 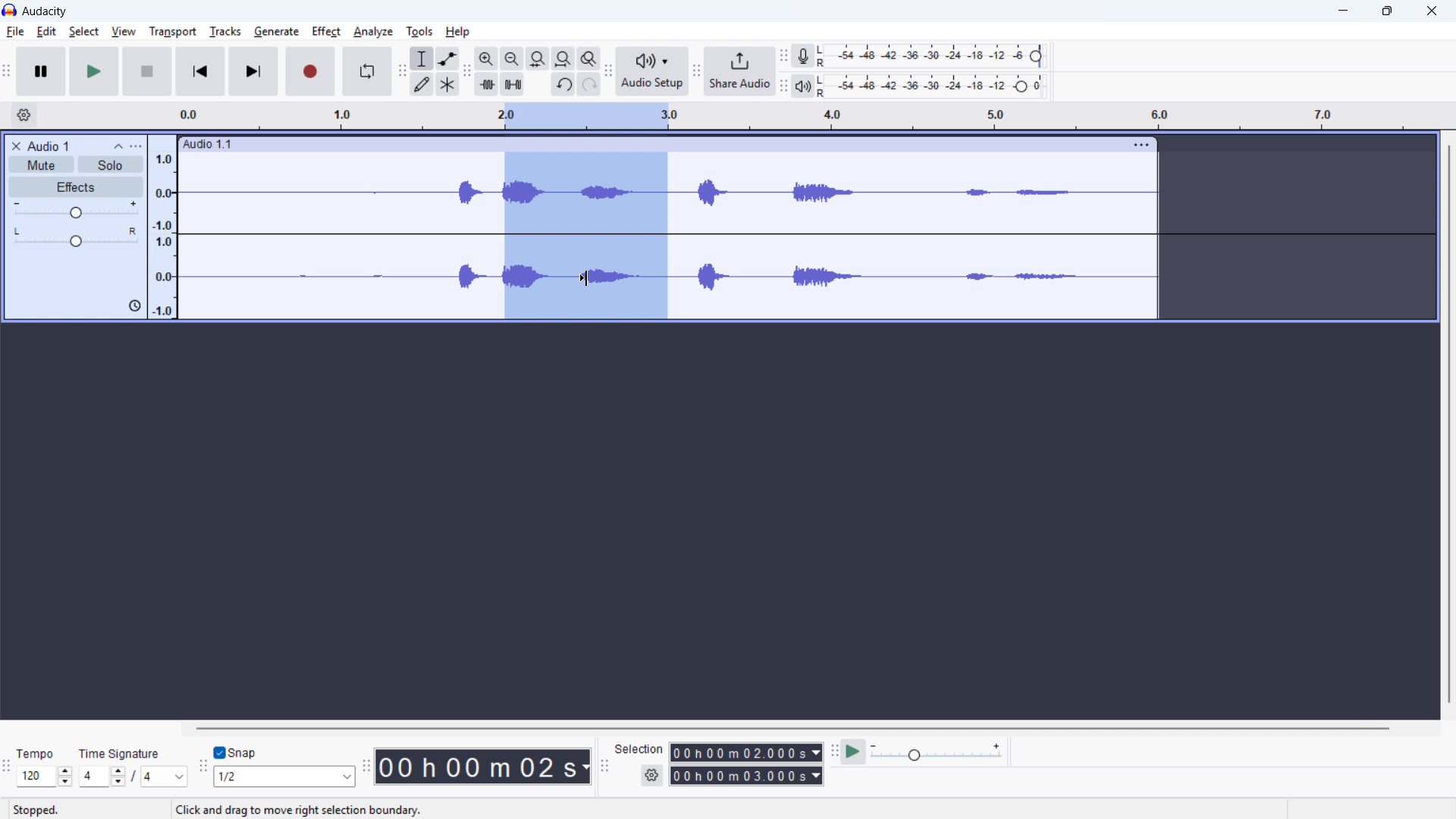 I want to click on 00 h 00 m 02 s, so click(x=485, y=767).